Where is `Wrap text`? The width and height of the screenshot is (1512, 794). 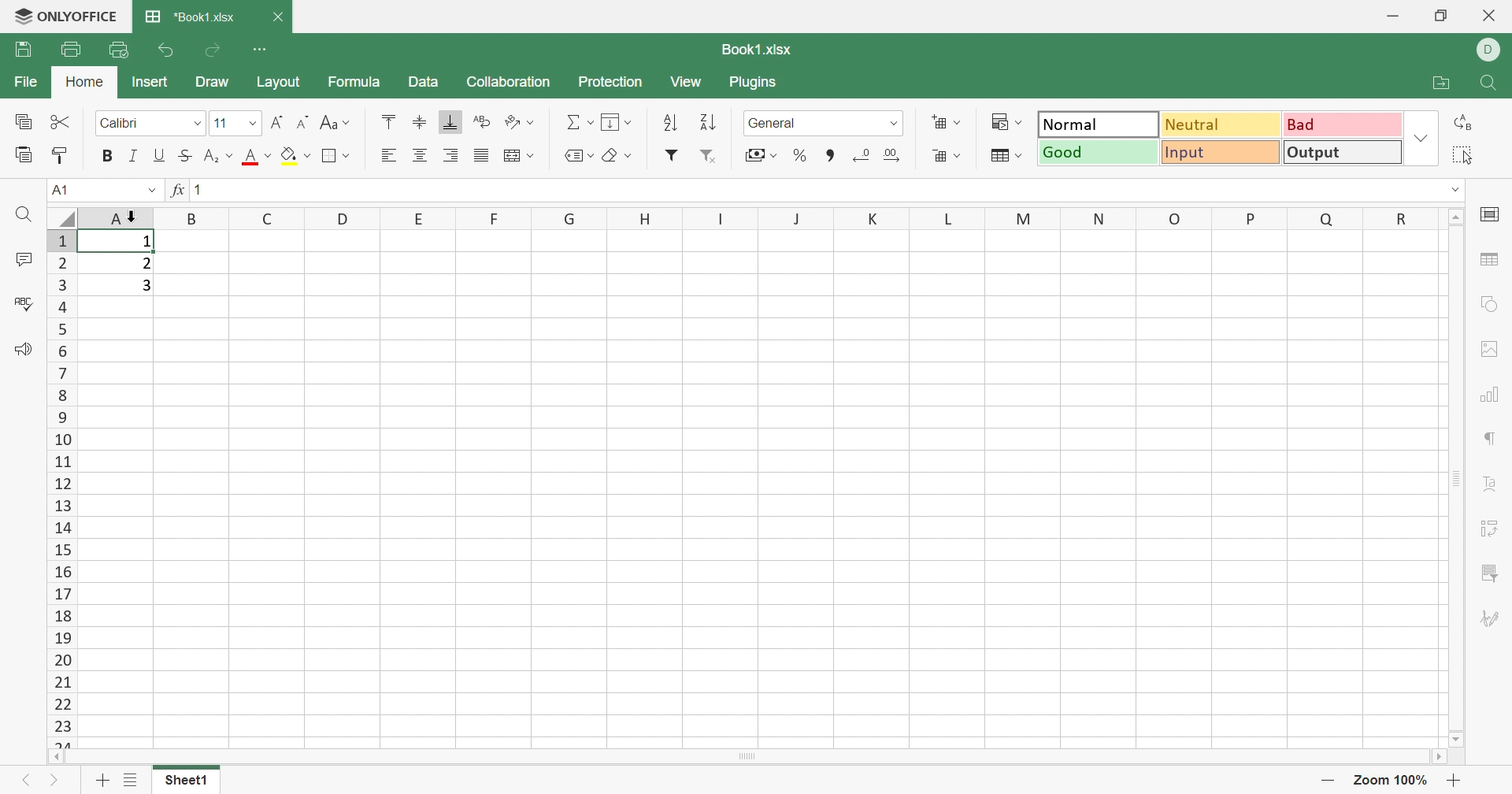 Wrap text is located at coordinates (516, 156).